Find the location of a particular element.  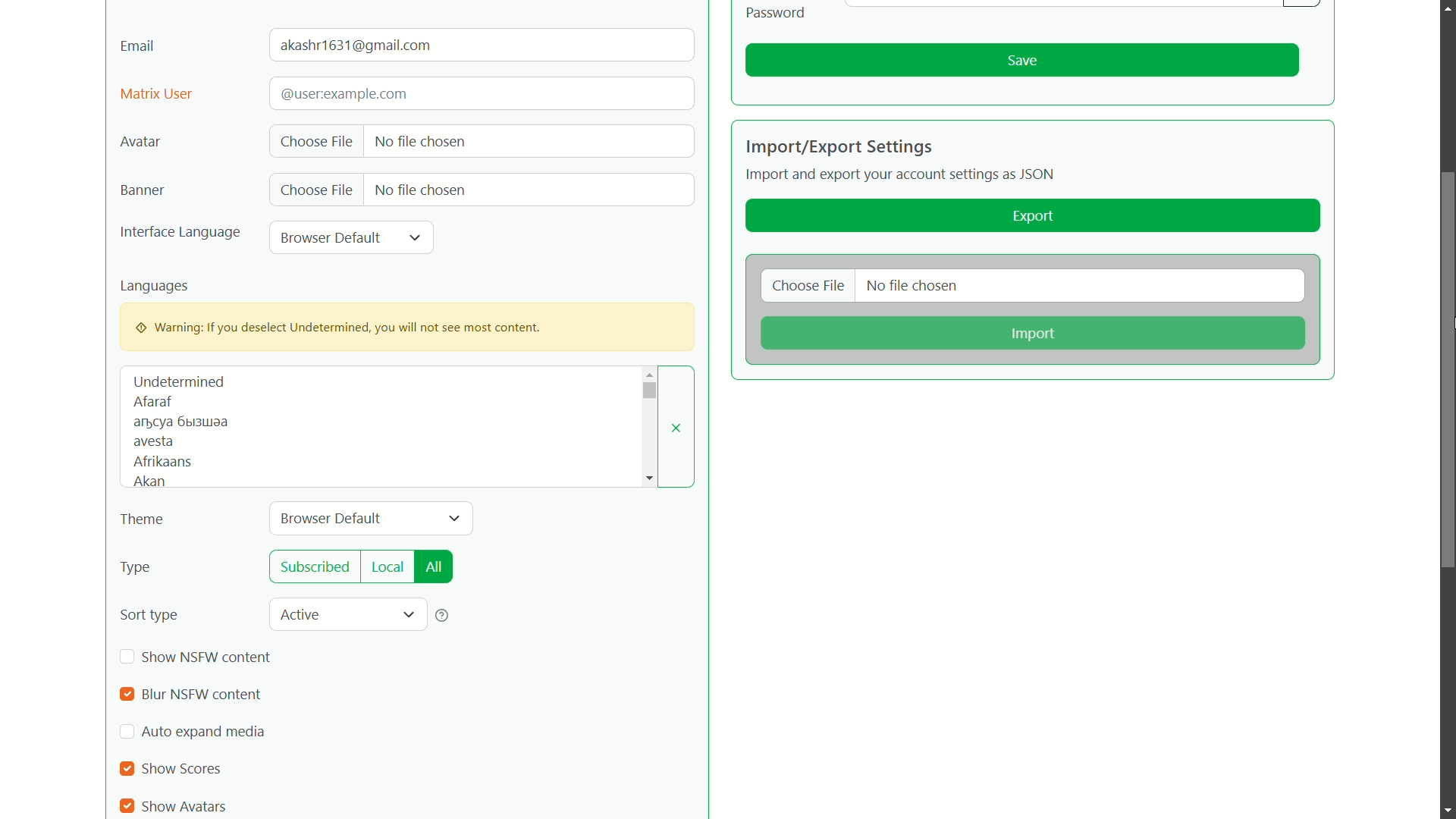

no file chosen is located at coordinates (419, 188).